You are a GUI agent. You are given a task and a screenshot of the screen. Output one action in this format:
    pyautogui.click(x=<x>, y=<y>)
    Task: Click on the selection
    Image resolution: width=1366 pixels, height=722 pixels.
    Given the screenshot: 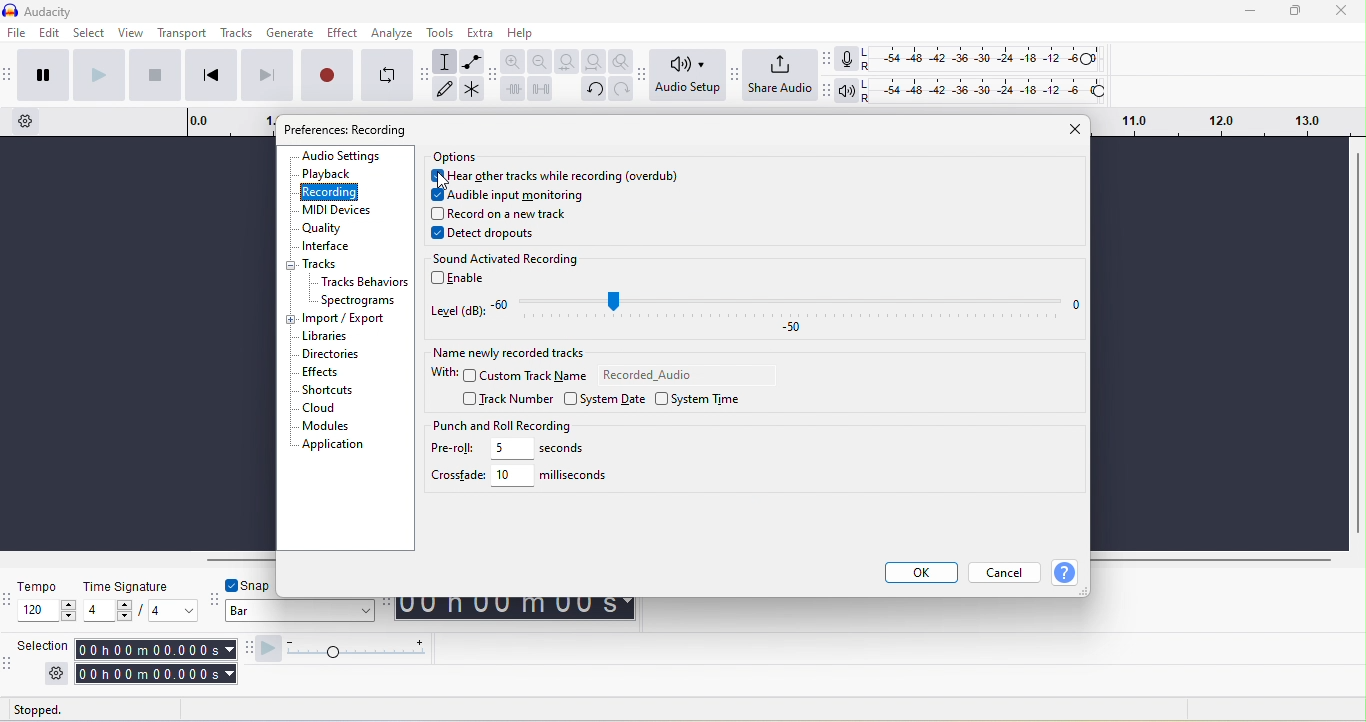 What is the action you would take?
    pyautogui.click(x=46, y=661)
    